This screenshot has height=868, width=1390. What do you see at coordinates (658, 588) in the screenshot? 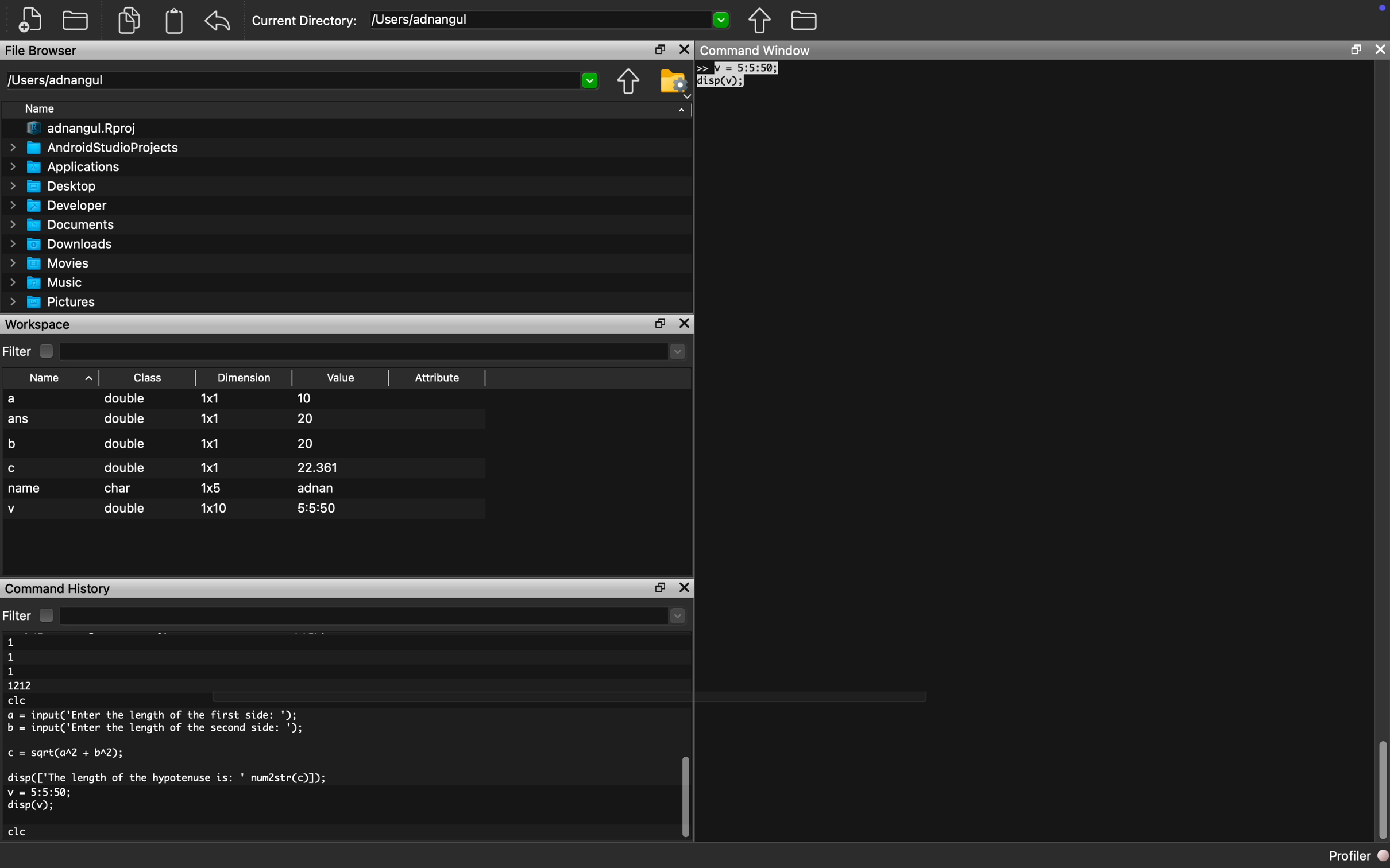
I see `maximize` at bounding box center [658, 588].